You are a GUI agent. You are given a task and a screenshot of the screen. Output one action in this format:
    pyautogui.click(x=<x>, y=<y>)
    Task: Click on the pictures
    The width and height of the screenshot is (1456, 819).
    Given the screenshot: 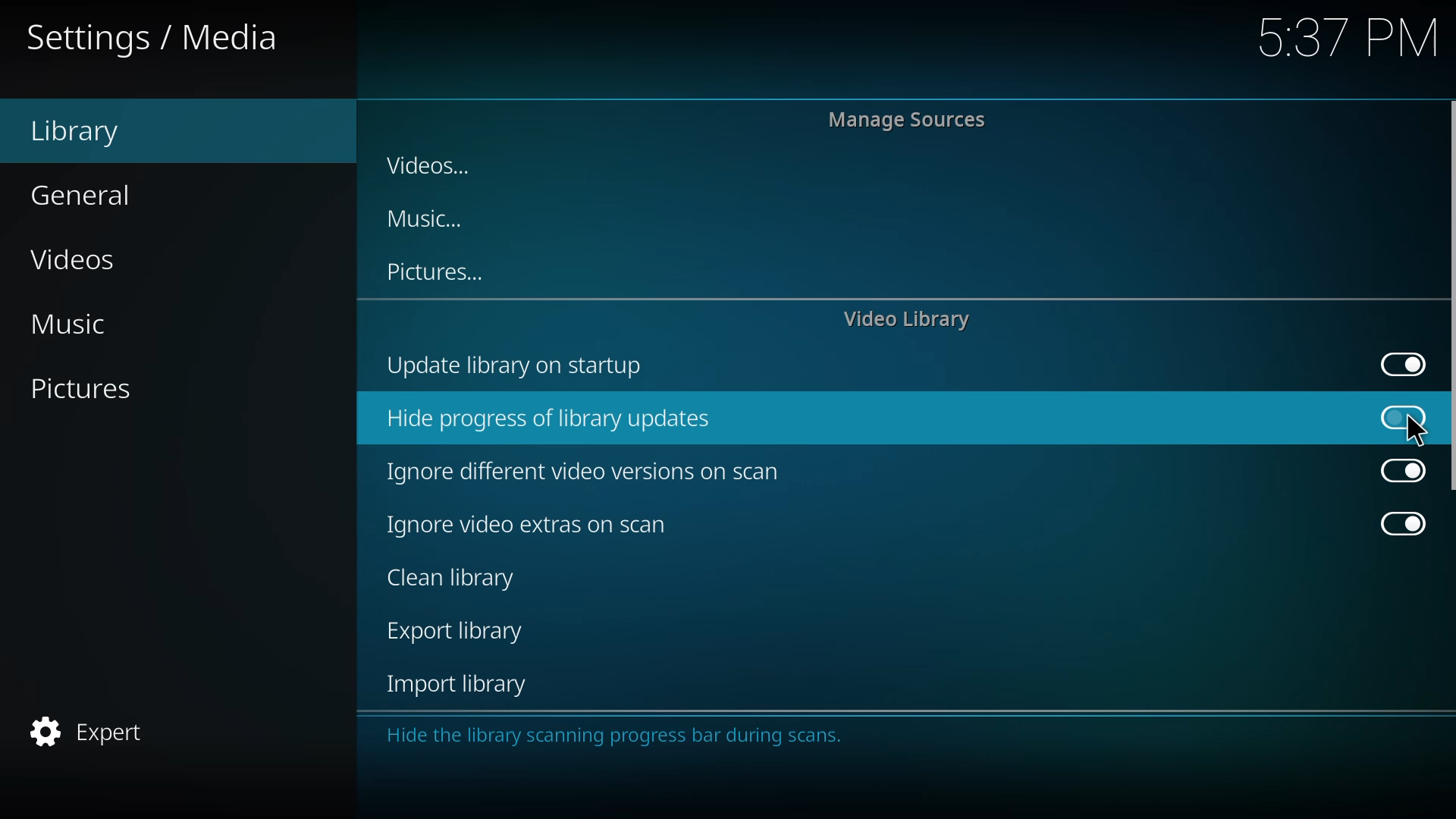 What is the action you would take?
    pyautogui.click(x=442, y=271)
    